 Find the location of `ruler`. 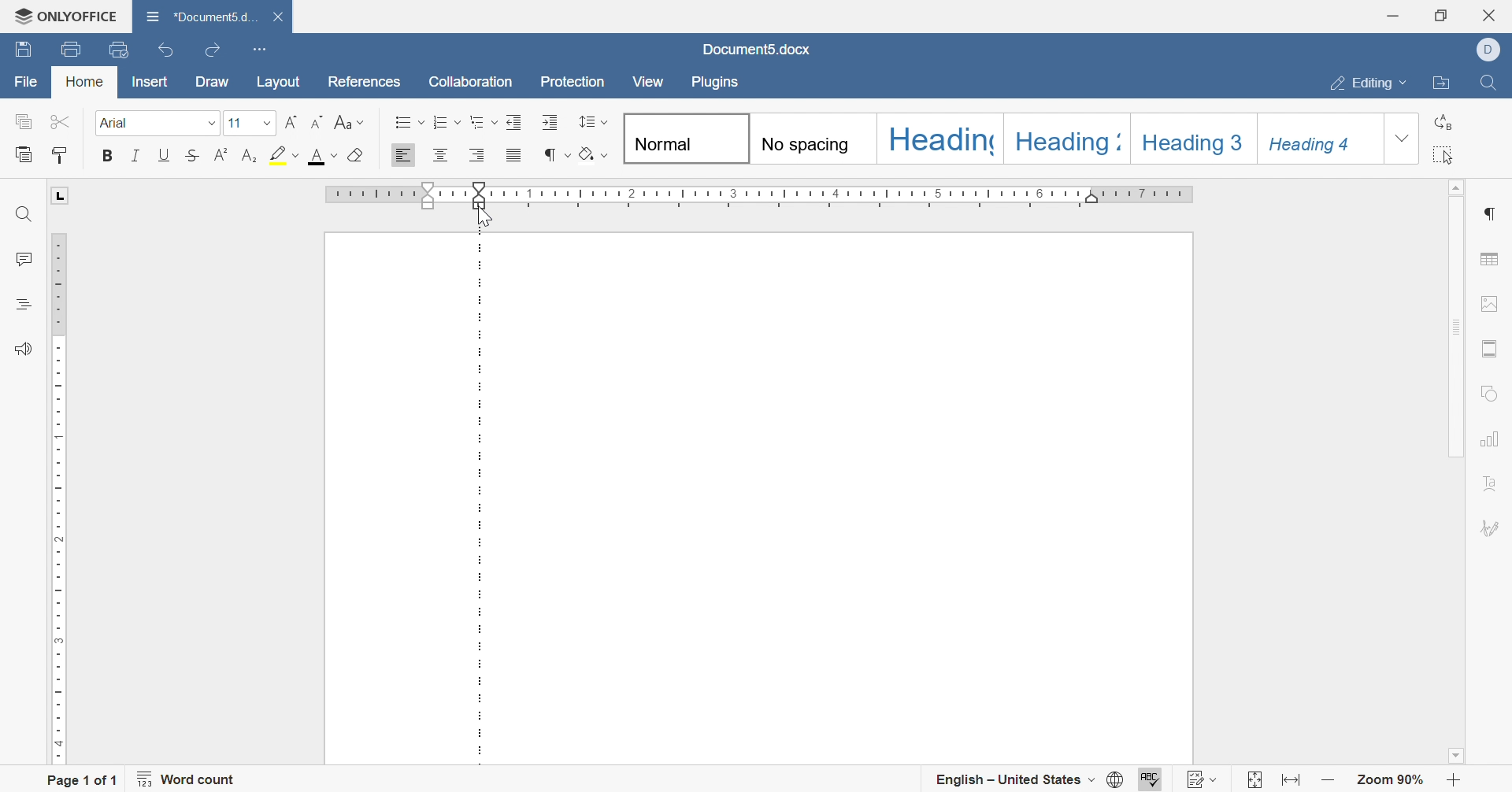

ruler is located at coordinates (55, 495).